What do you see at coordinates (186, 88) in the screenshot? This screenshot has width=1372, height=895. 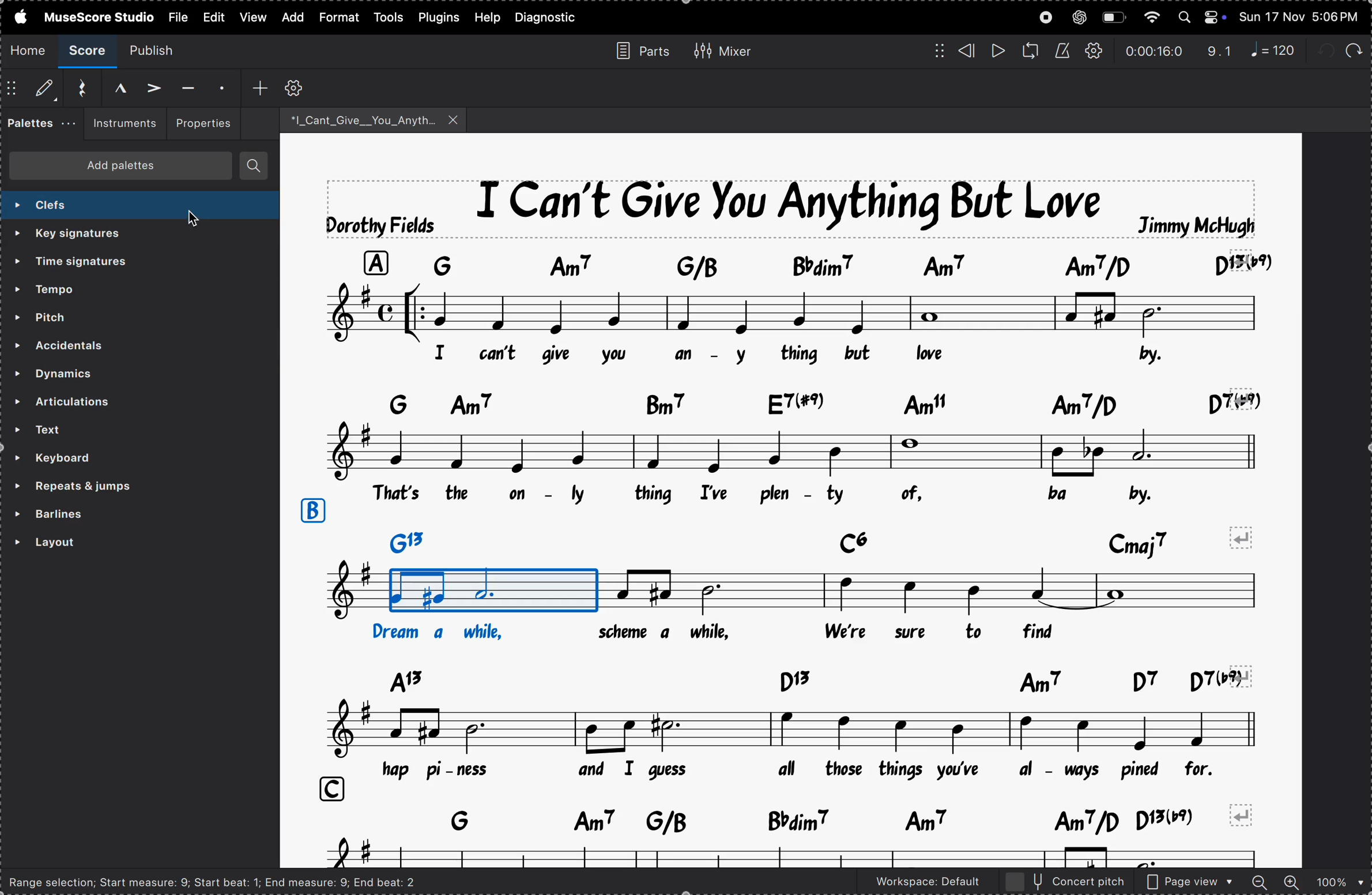 I see `tenuto` at bounding box center [186, 88].